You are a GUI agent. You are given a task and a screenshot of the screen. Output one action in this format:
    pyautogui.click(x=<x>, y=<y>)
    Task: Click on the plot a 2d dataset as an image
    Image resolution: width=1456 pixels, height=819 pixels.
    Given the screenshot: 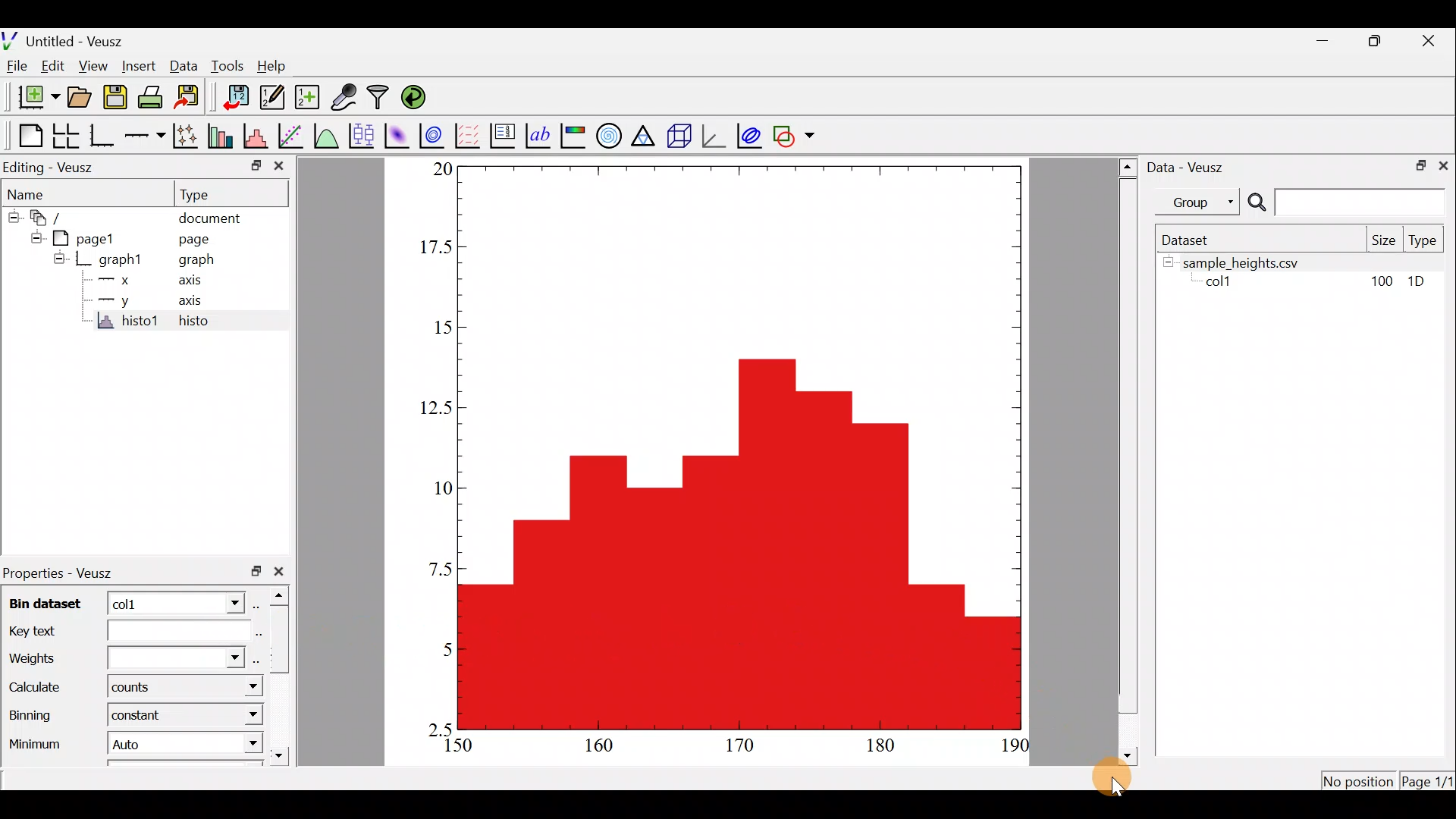 What is the action you would take?
    pyautogui.click(x=397, y=134)
    